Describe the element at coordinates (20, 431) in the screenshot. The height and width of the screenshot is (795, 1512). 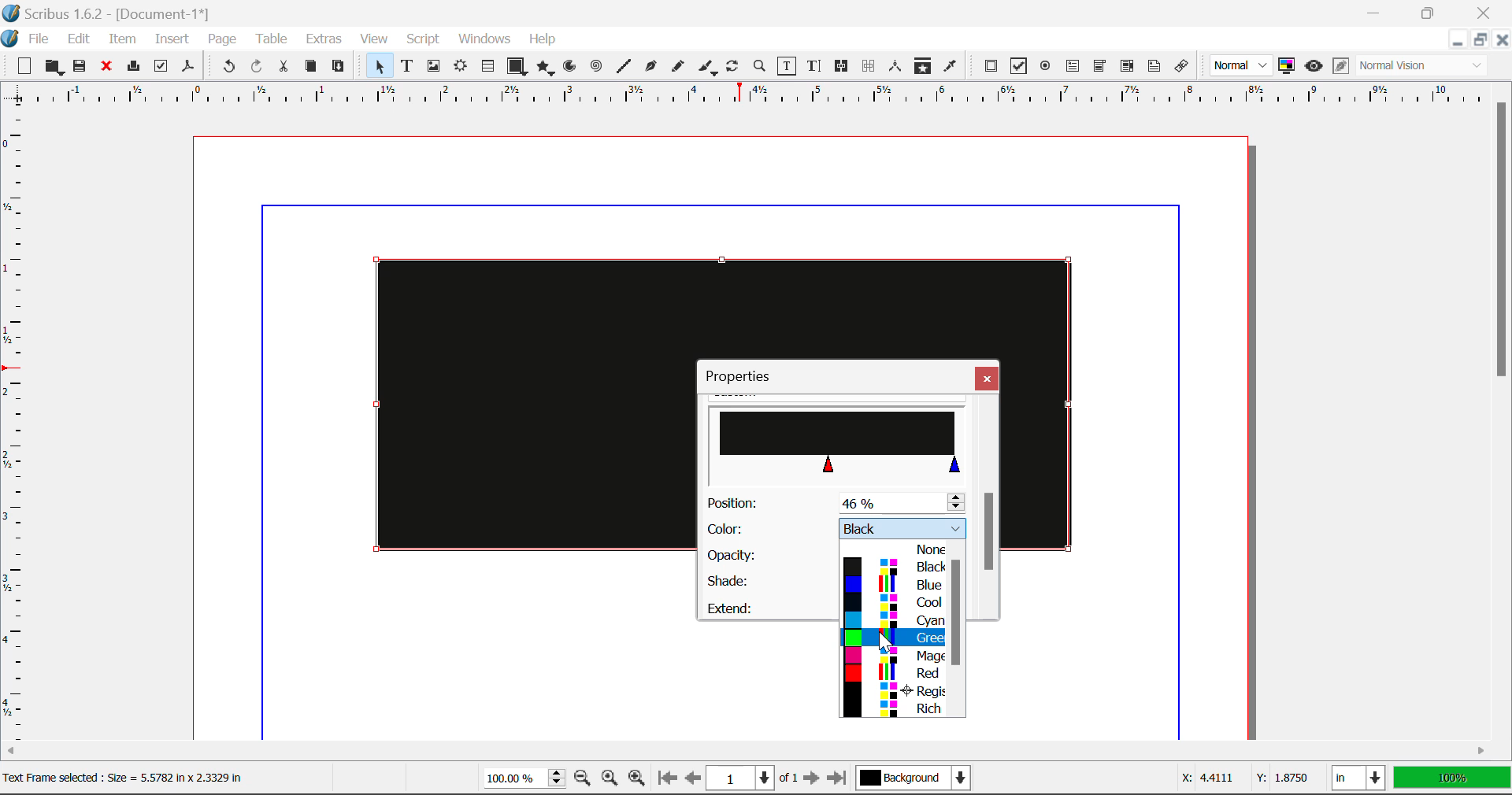
I see `Horizontal Page Margins` at that location.